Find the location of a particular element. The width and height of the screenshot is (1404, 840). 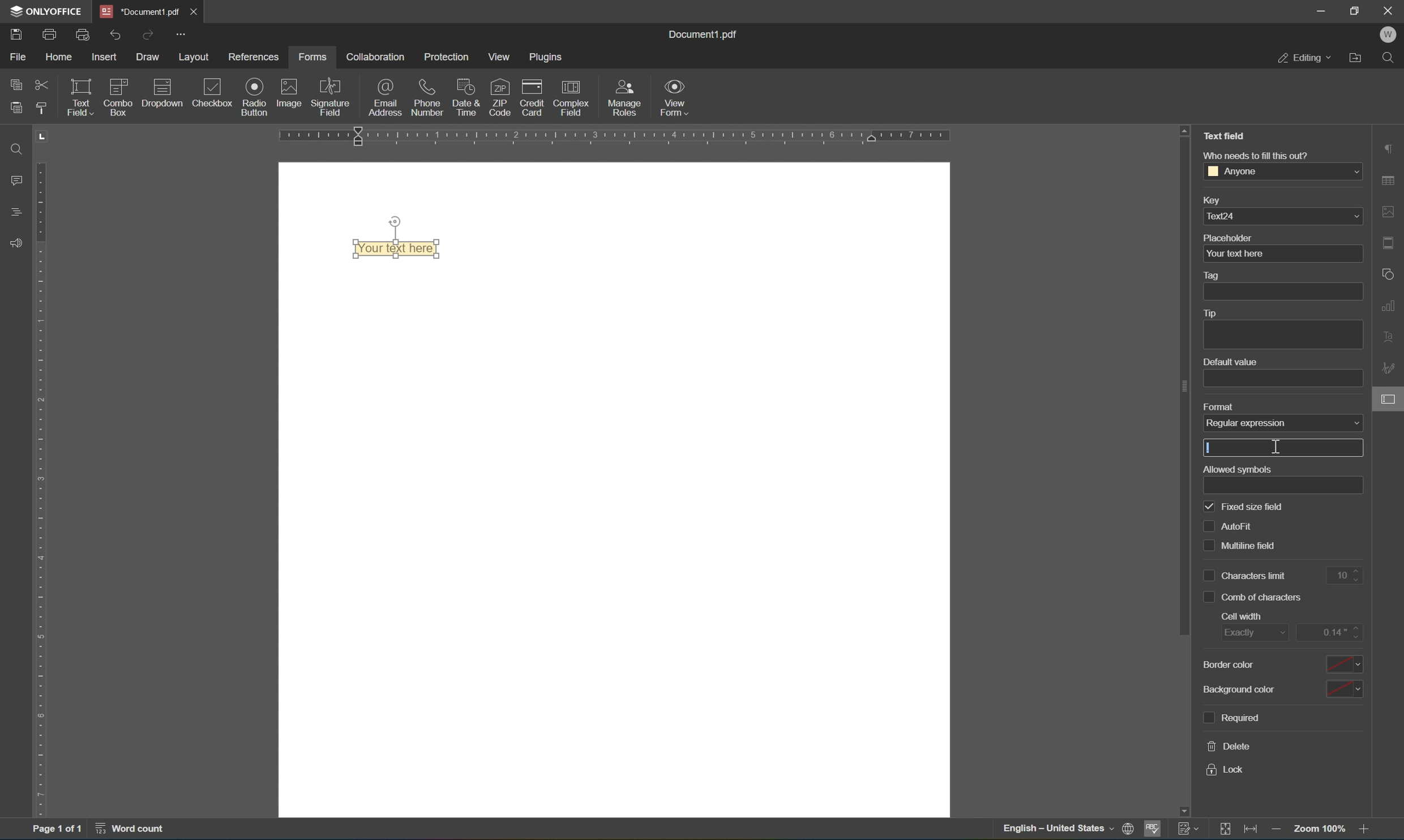

view is located at coordinates (503, 57).